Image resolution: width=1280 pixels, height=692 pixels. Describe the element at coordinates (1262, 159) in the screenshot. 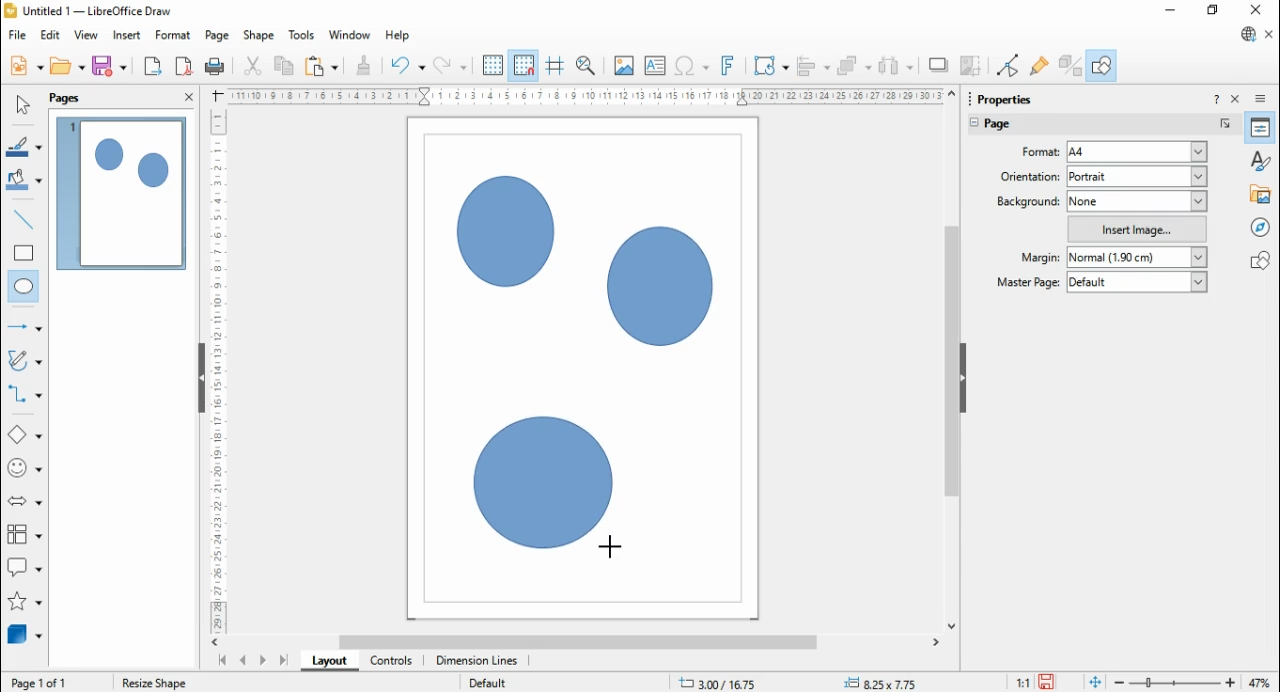

I see `styles` at that location.